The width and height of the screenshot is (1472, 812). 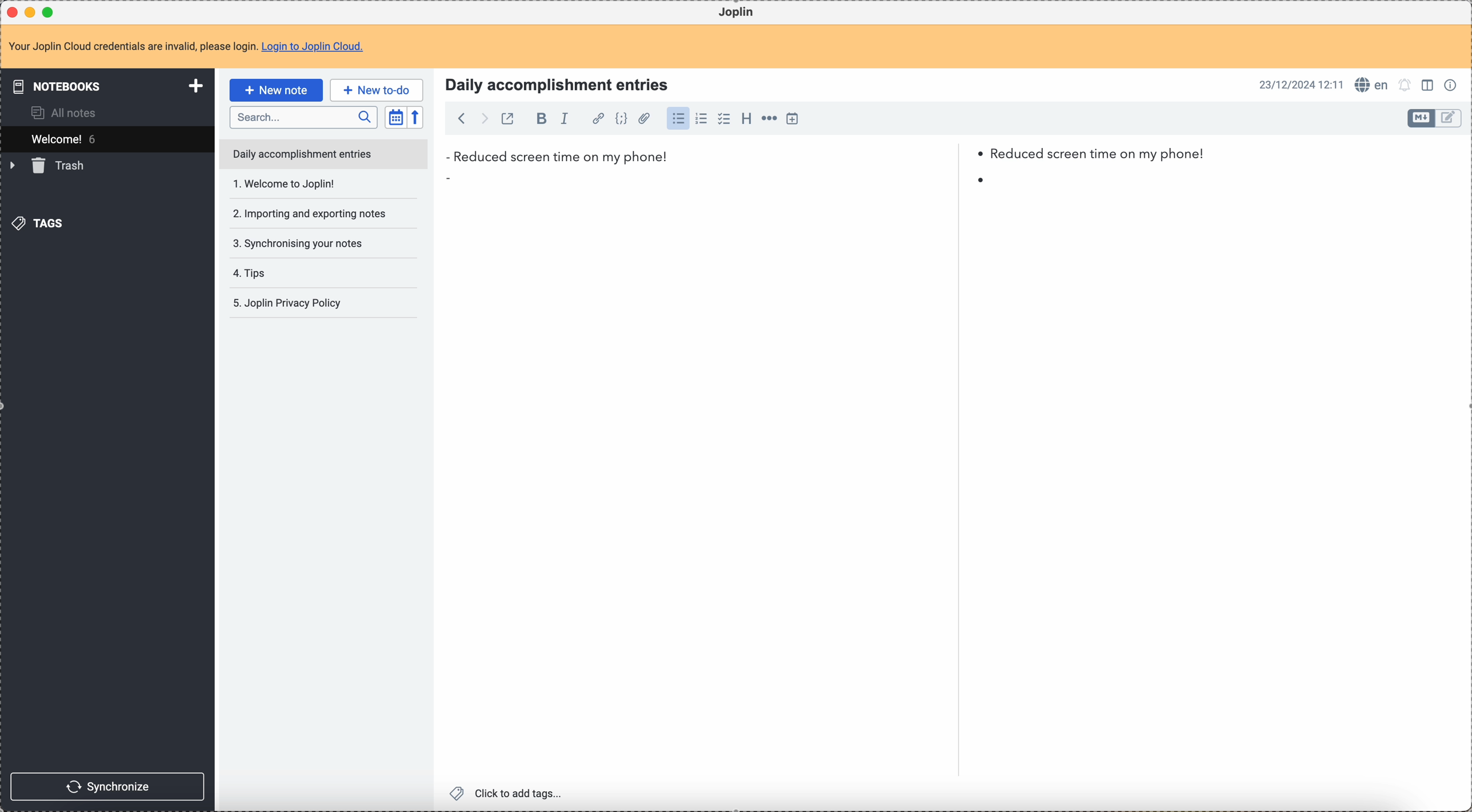 What do you see at coordinates (746, 119) in the screenshot?
I see `heading` at bounding box center [746, 119].